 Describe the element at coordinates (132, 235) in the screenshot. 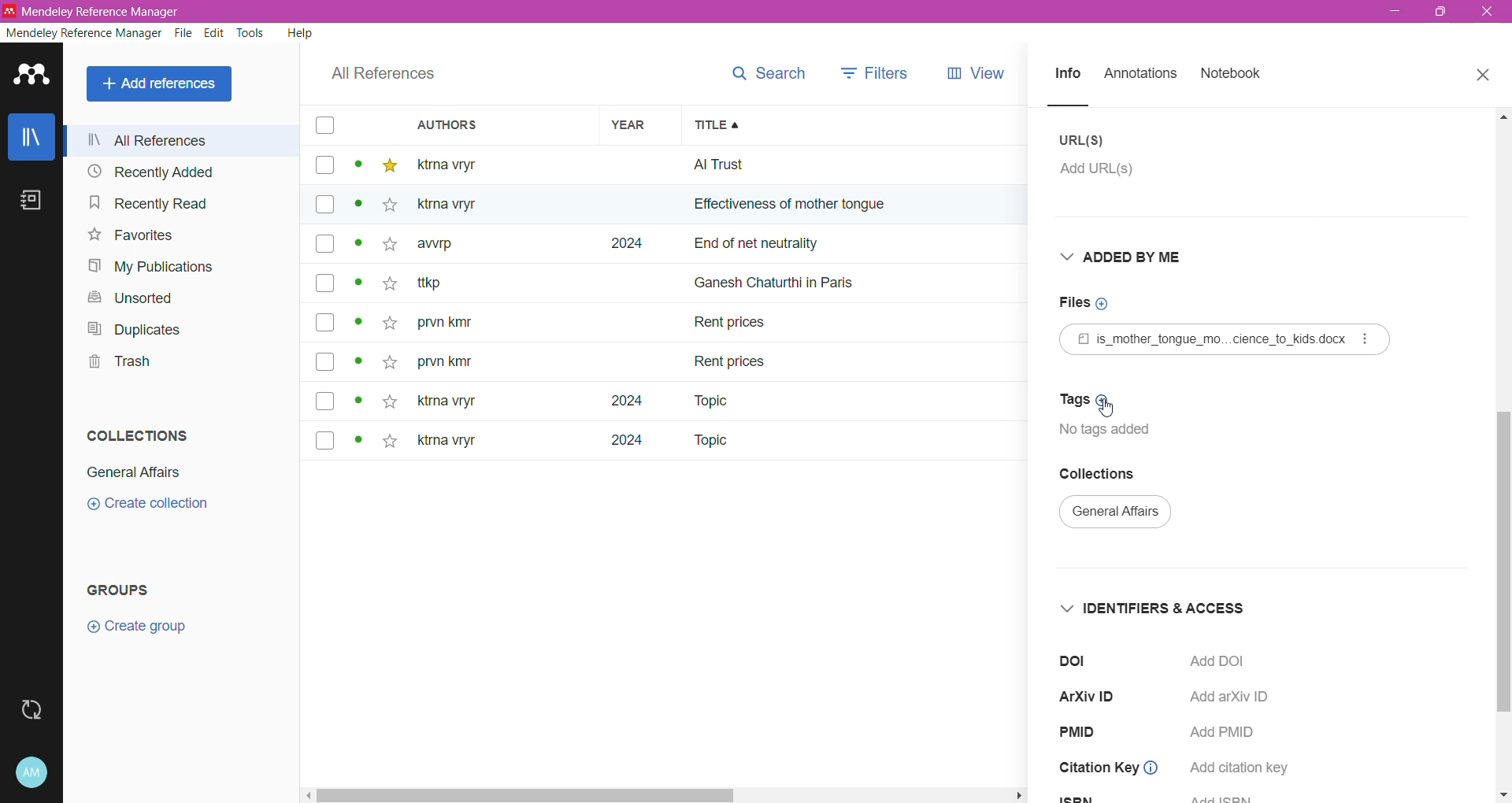

I see `Favorites` at that location.